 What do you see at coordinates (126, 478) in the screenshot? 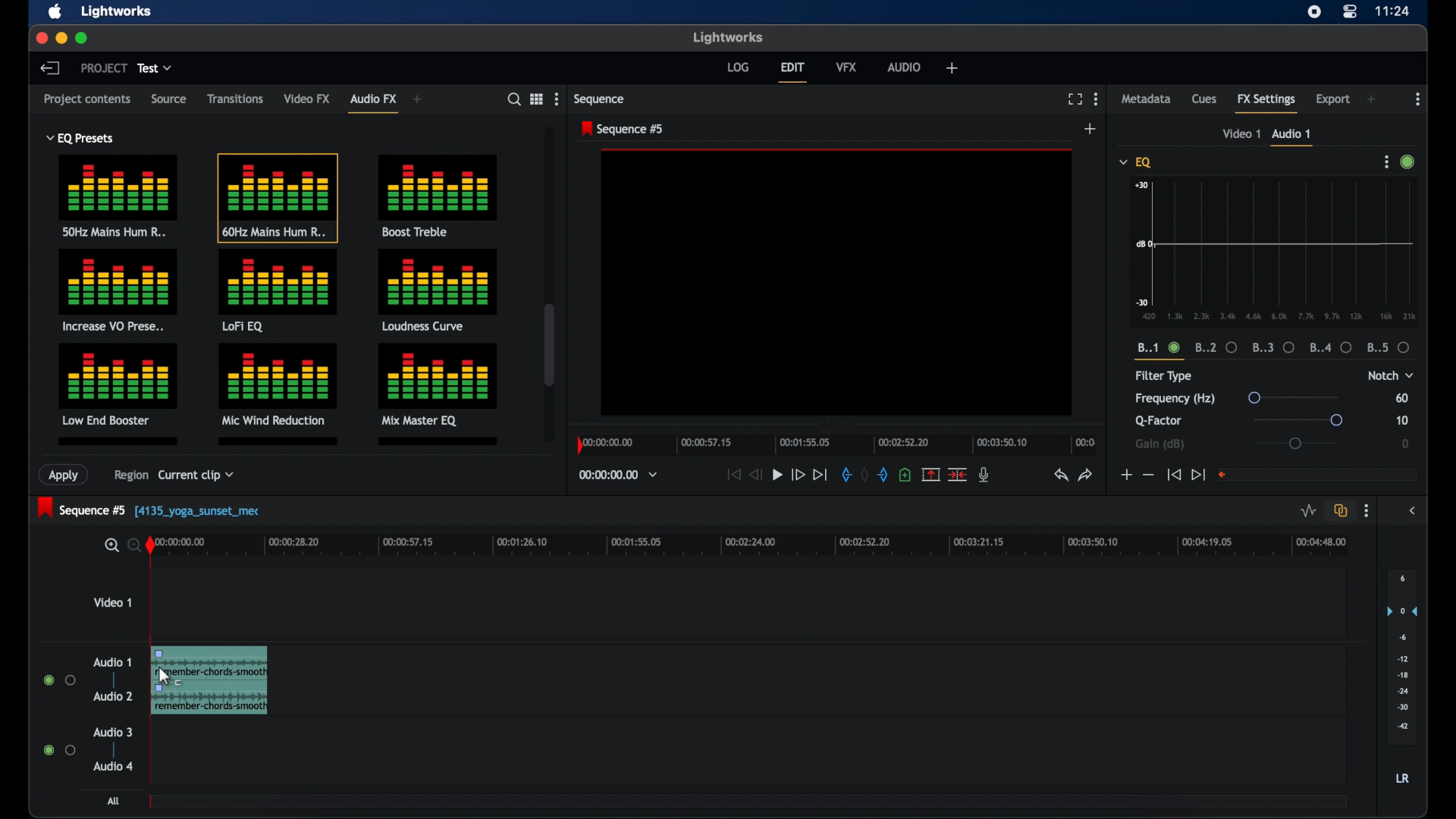
I see `region` at bounding box center [126, 478].